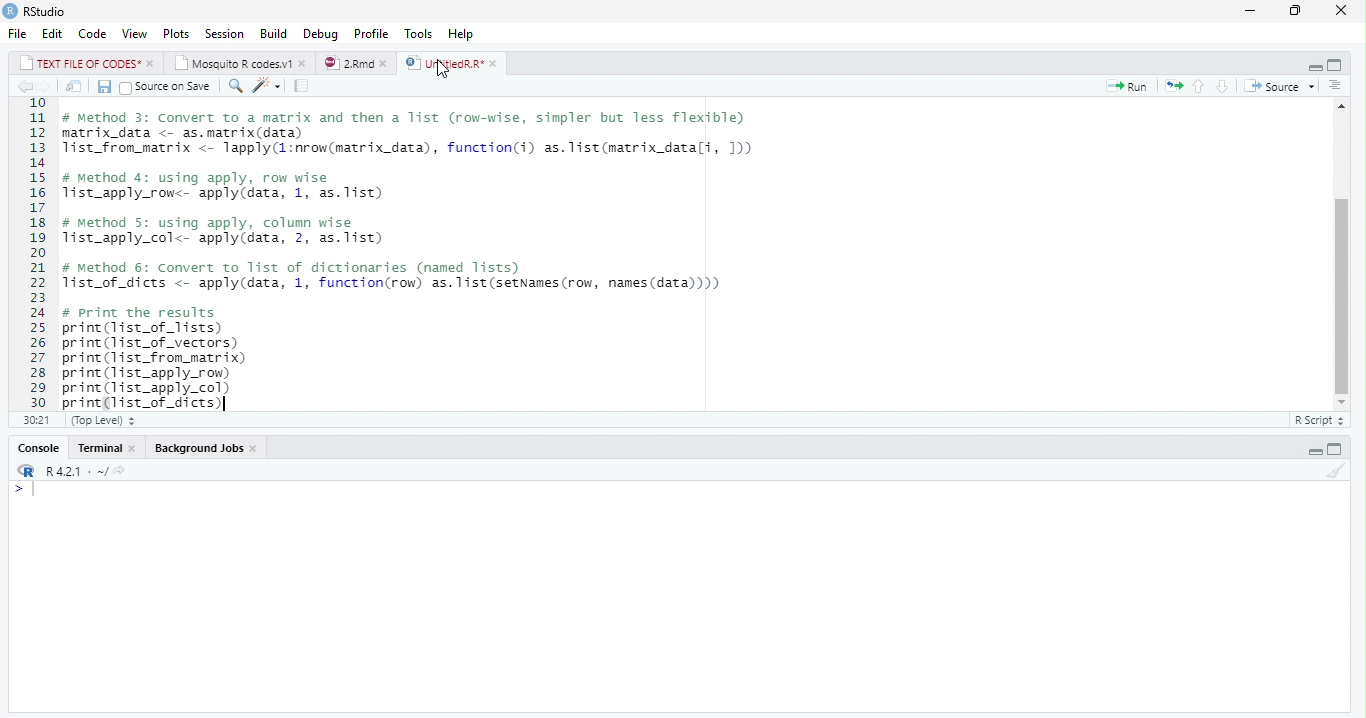 The width and height of the screenshot is (1366, 718). I want to click on Console, so click(104, 448).